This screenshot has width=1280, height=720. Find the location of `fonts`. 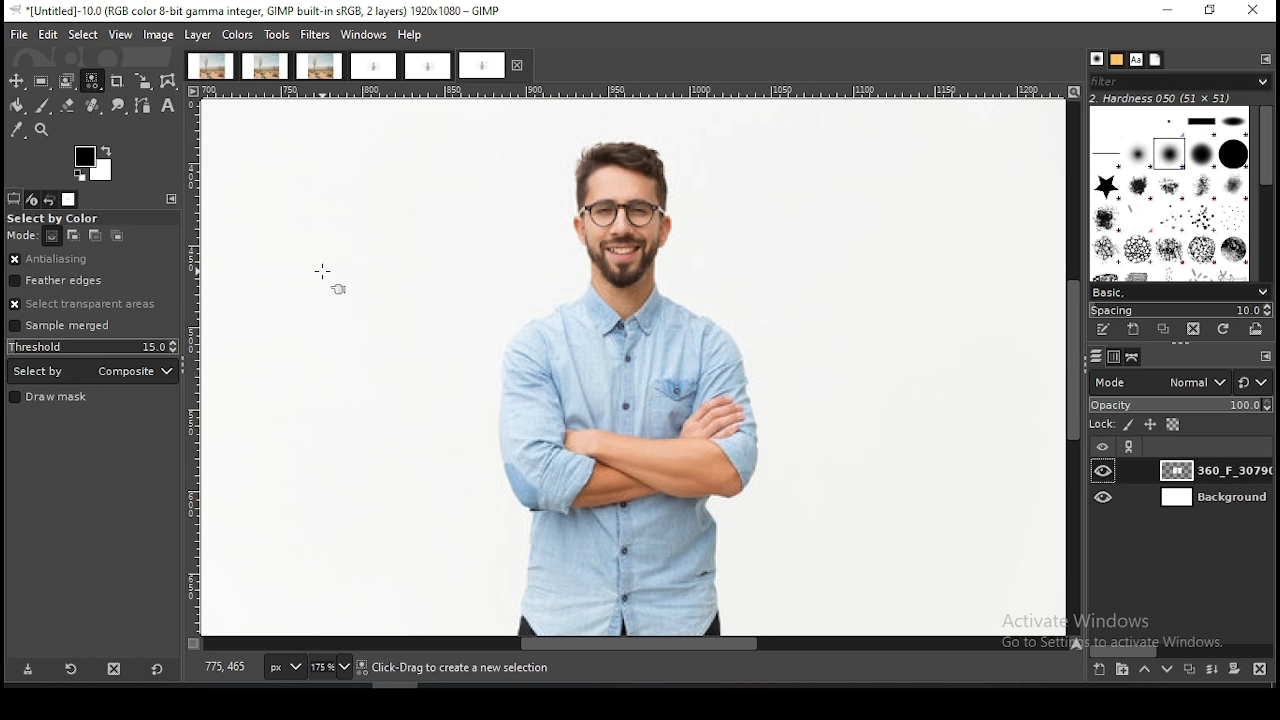

fonts is located at coordinates (1136, 60).